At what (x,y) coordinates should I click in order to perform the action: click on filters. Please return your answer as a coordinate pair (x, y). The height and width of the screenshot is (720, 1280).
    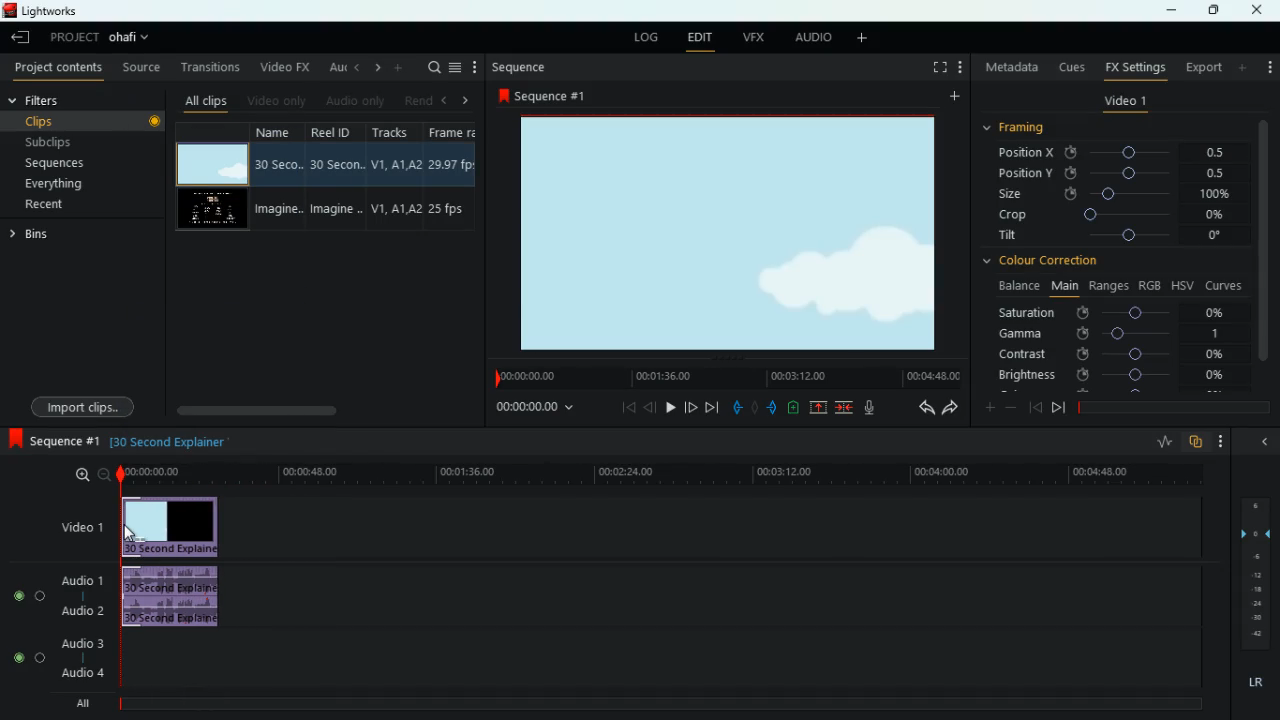
    Looking at the image, I should click on (42, 100).